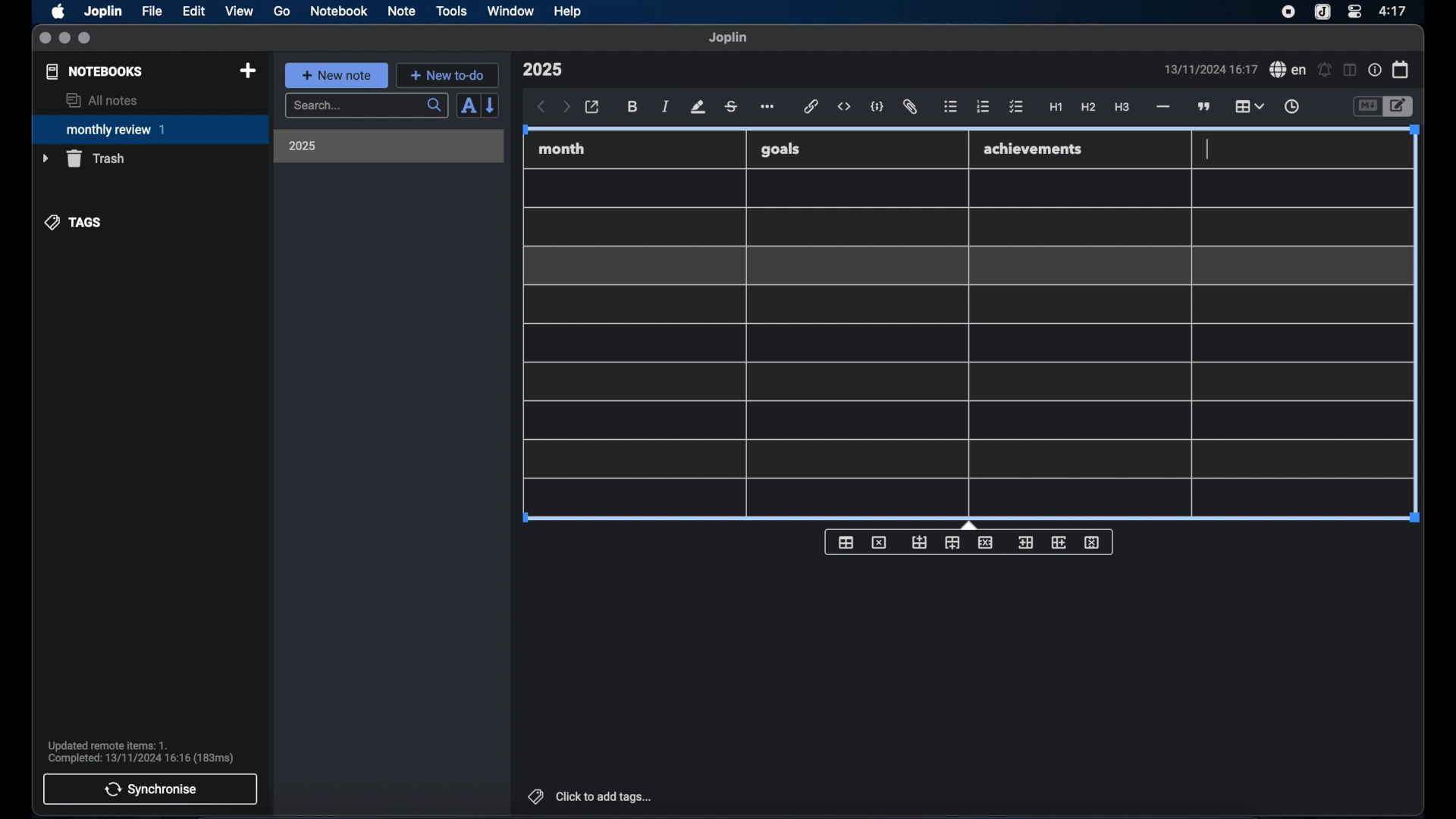 The height and width of the screenshot is (819, 1456). What do you see at coordinates (728, 37) in the screenshot?
I see `joplin` at bounding box center [728, 37].